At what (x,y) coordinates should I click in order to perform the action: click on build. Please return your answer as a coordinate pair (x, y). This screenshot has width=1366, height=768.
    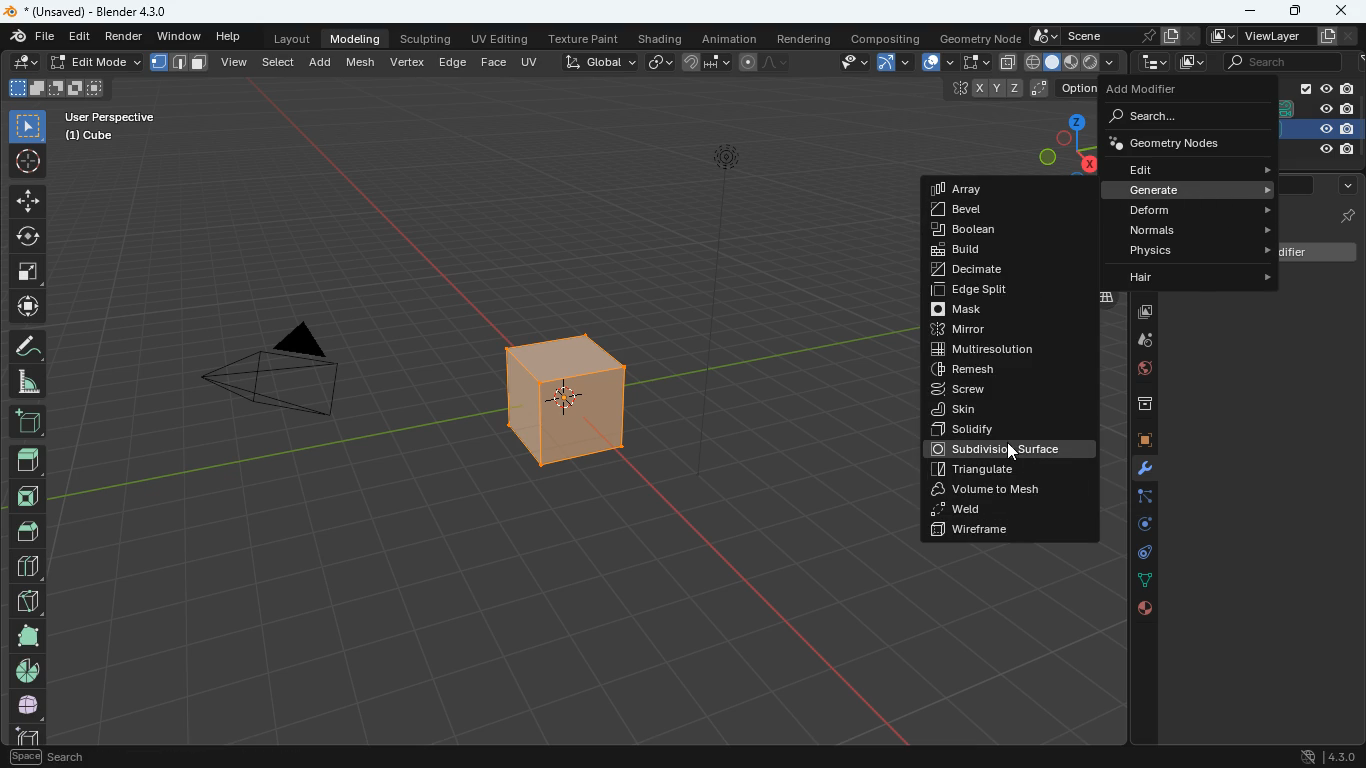
    Looking at the image, I should click on (974, 251).